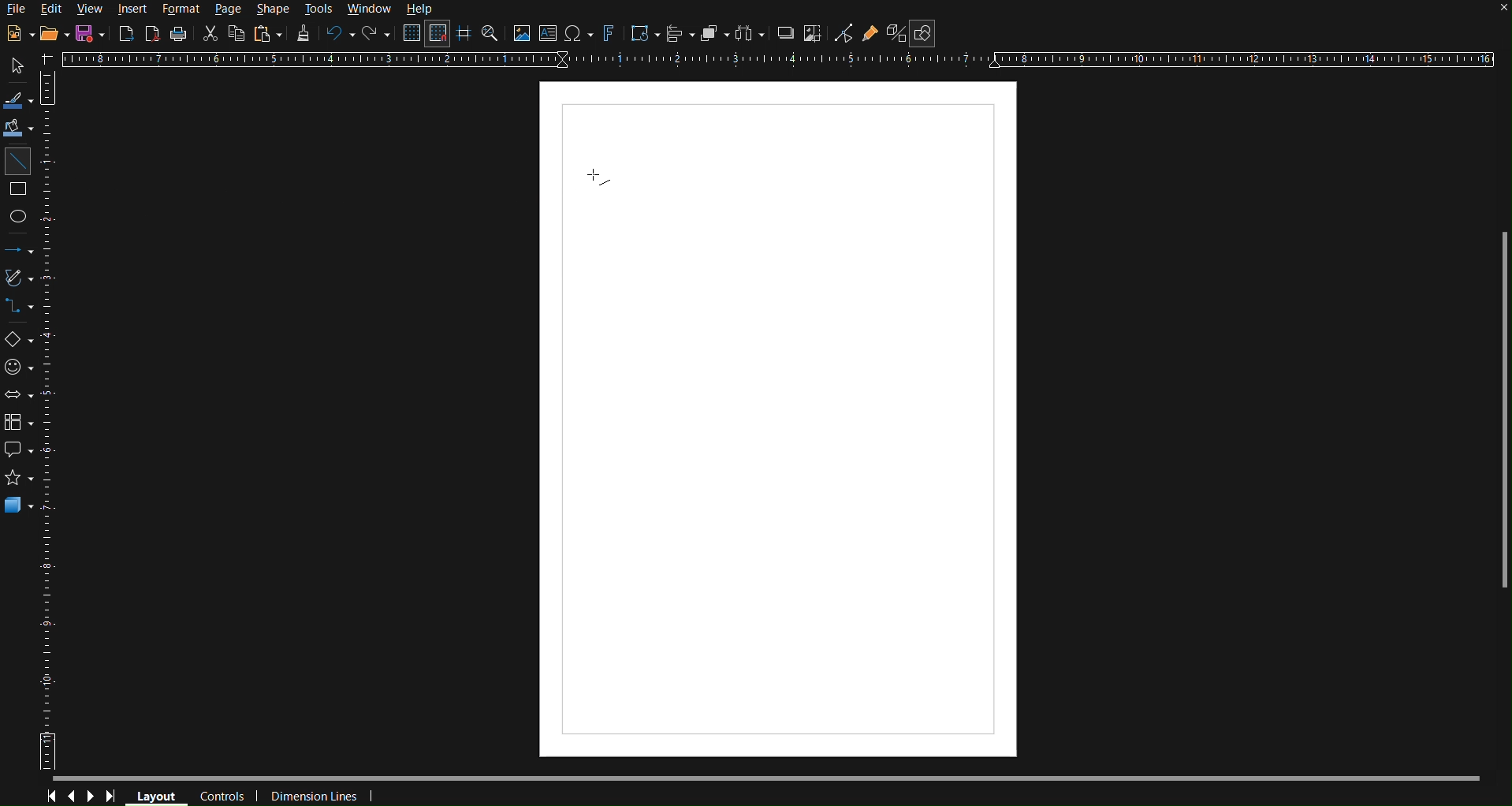 This screenshot has width=1512, height=806. What do you see at coordinates (13, 34) in the screenshot?
I see `` at bounding box center [13, 34].